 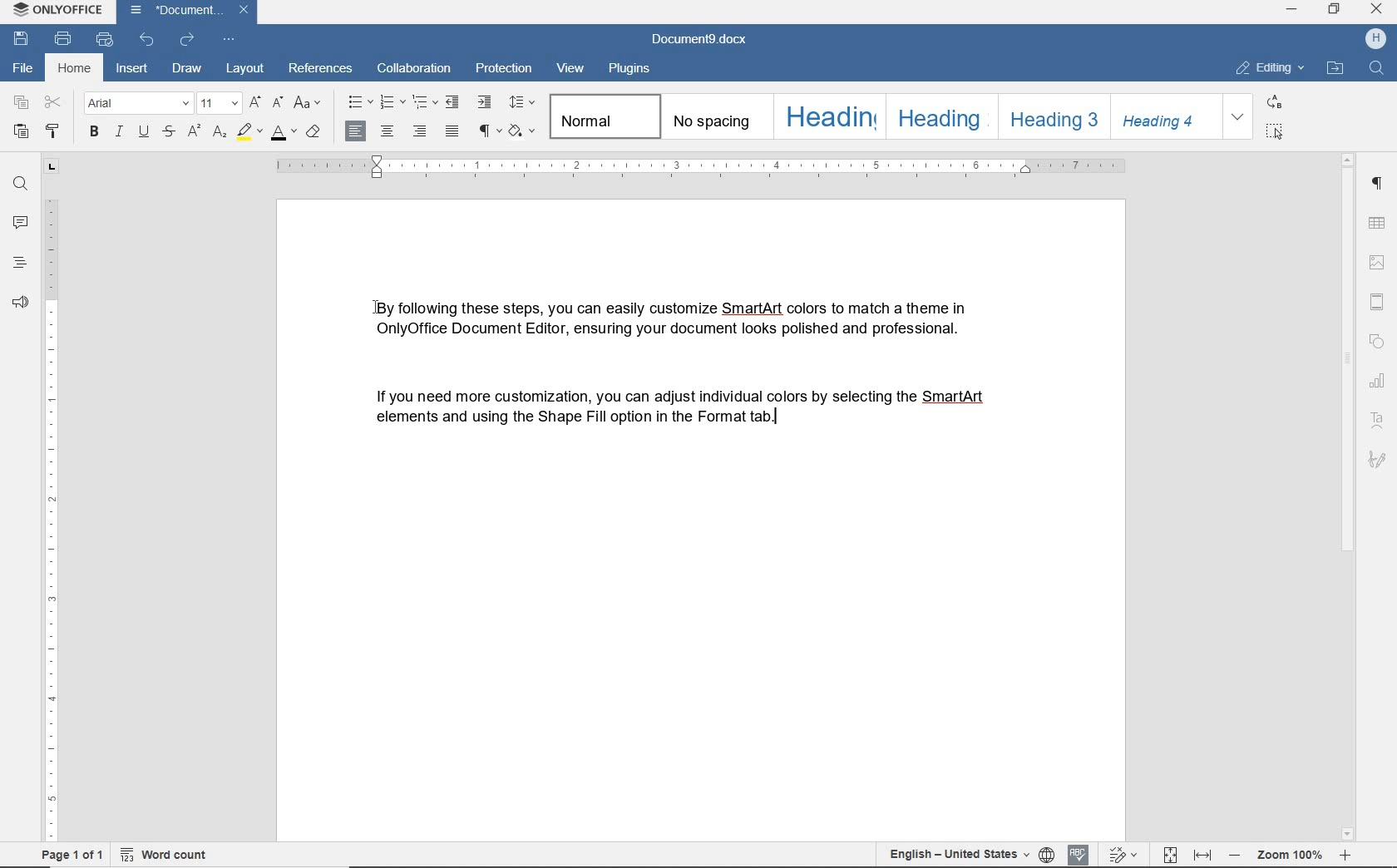 I want to click on bullets, so click(x=358, y=101).